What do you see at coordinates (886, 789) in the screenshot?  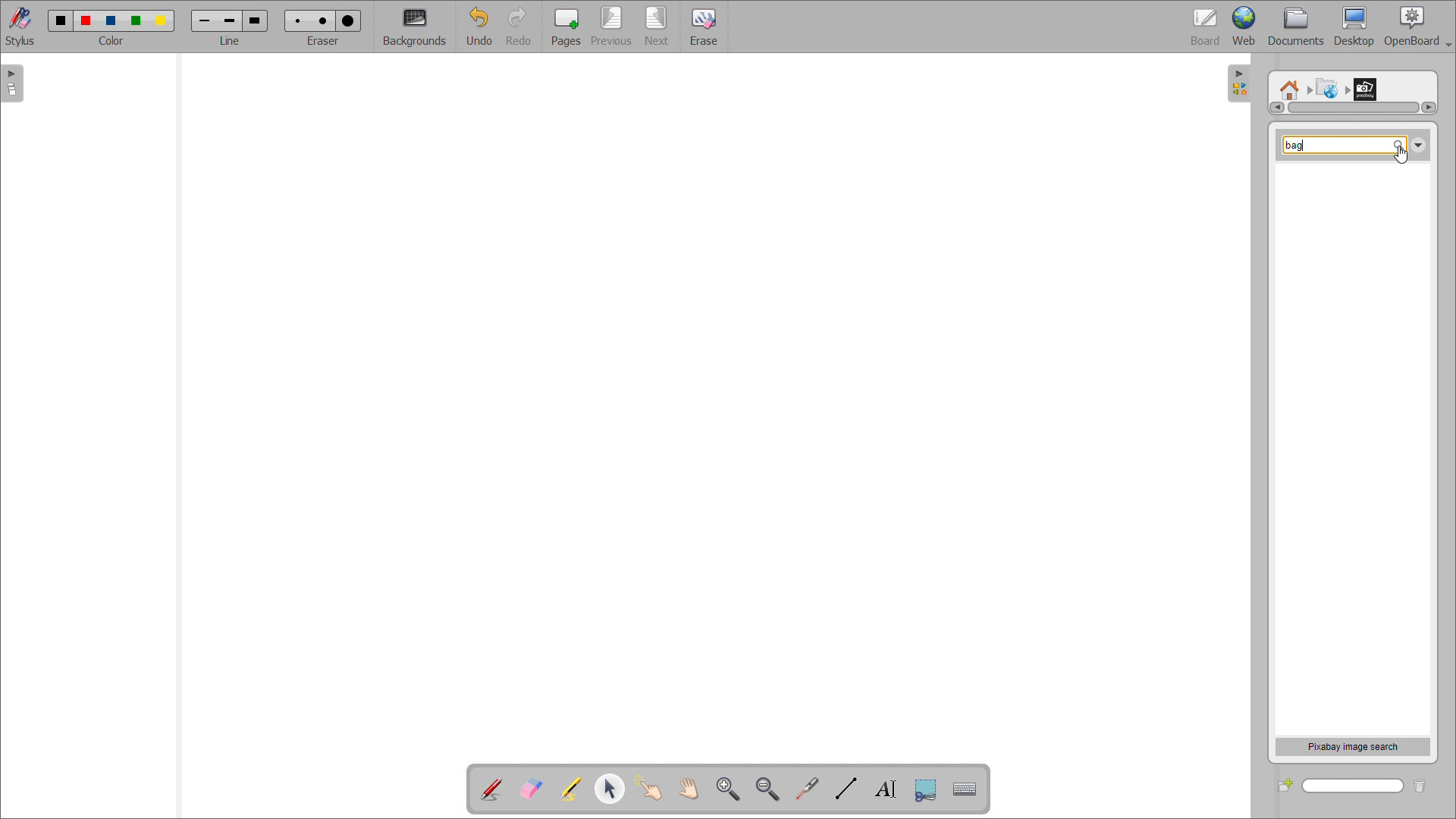 I see `write text` at bounding box center [886, 789].